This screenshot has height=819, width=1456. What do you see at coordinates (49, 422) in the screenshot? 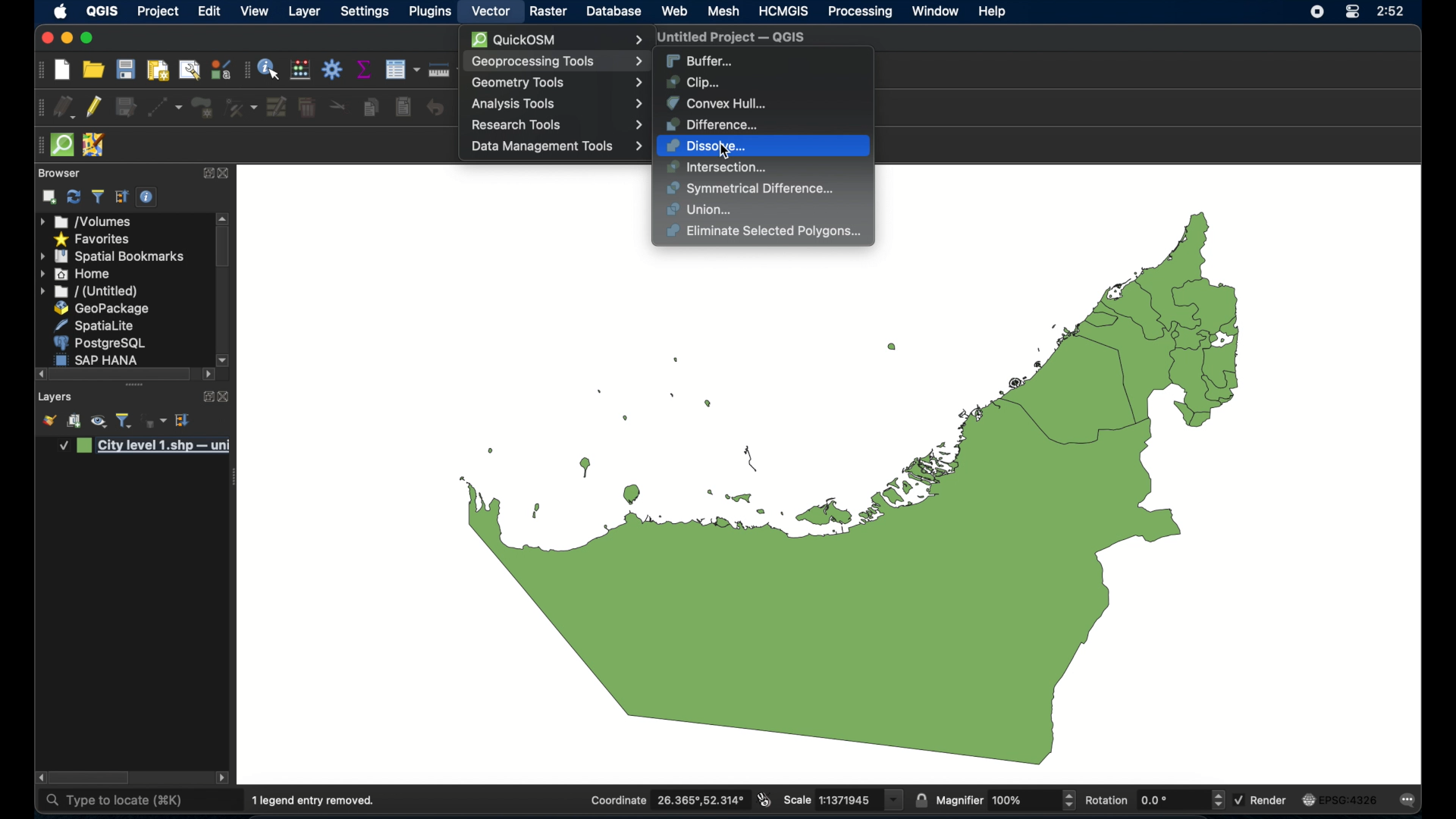
I see `open layer styling panel` at bounding box center [49, 422].